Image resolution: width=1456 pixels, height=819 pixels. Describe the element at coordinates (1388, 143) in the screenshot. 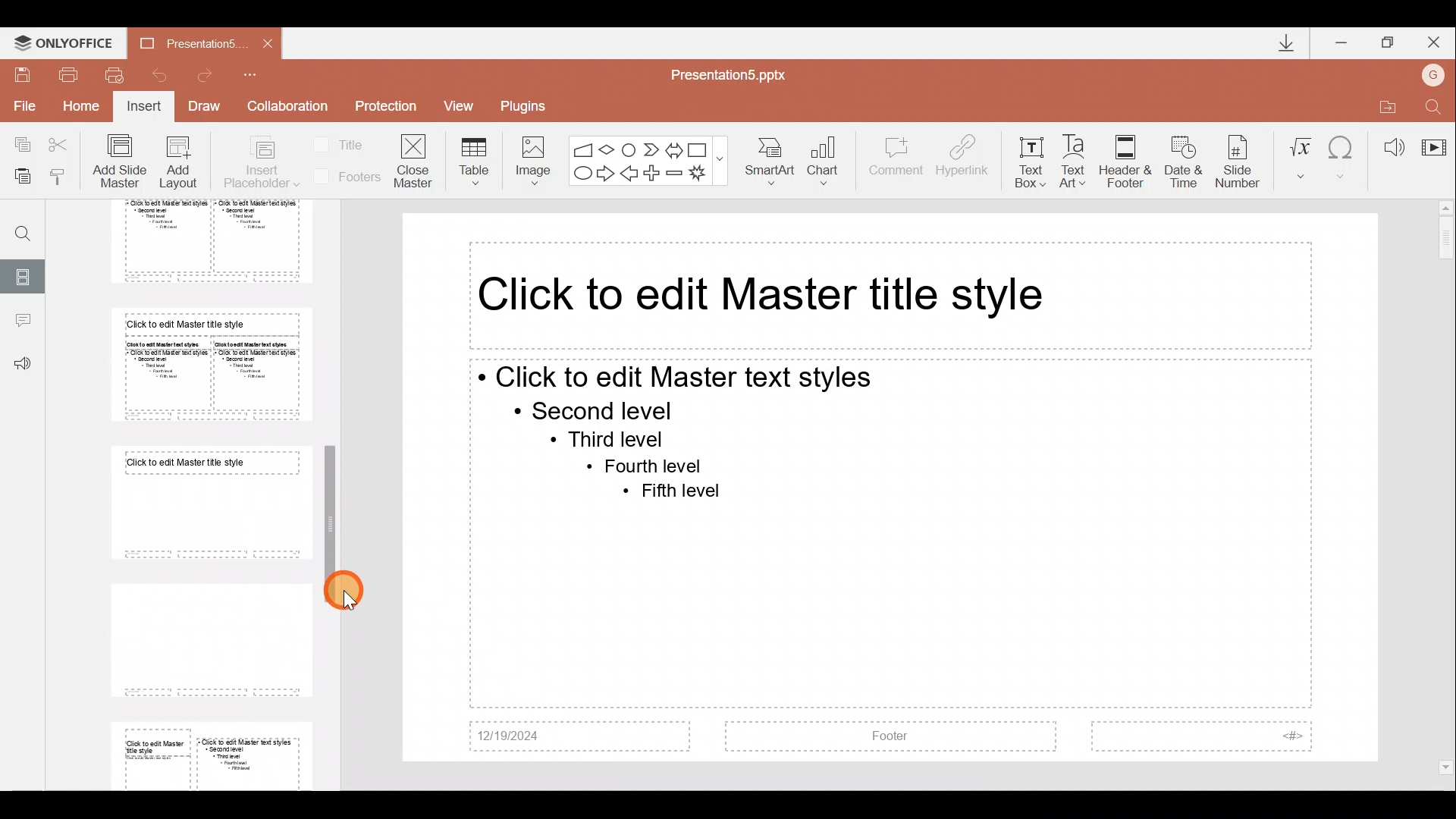

I see `Audio` at that location.